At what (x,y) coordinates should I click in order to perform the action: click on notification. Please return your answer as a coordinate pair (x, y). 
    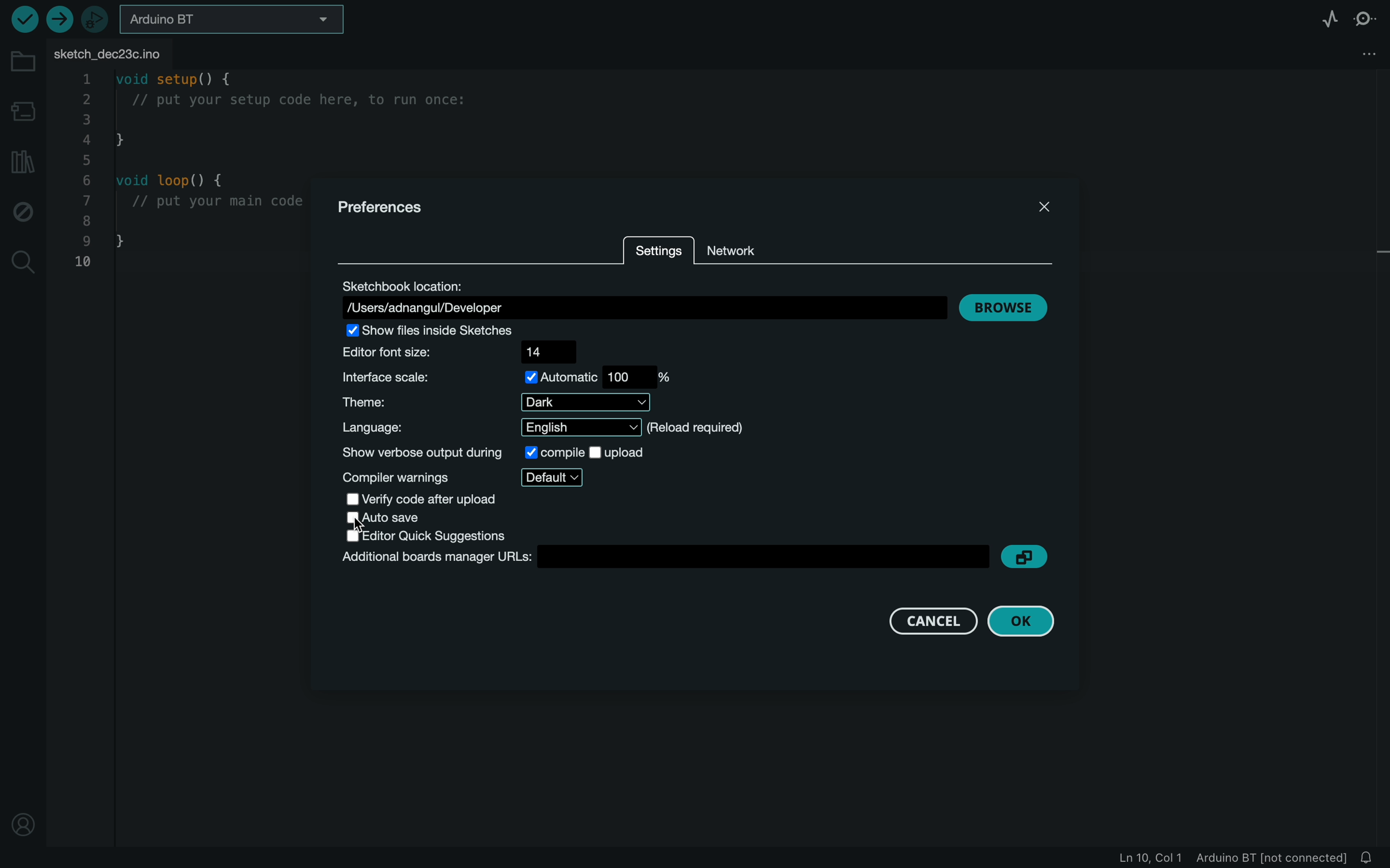
    Looking at the image, I should click on (1374, 858).